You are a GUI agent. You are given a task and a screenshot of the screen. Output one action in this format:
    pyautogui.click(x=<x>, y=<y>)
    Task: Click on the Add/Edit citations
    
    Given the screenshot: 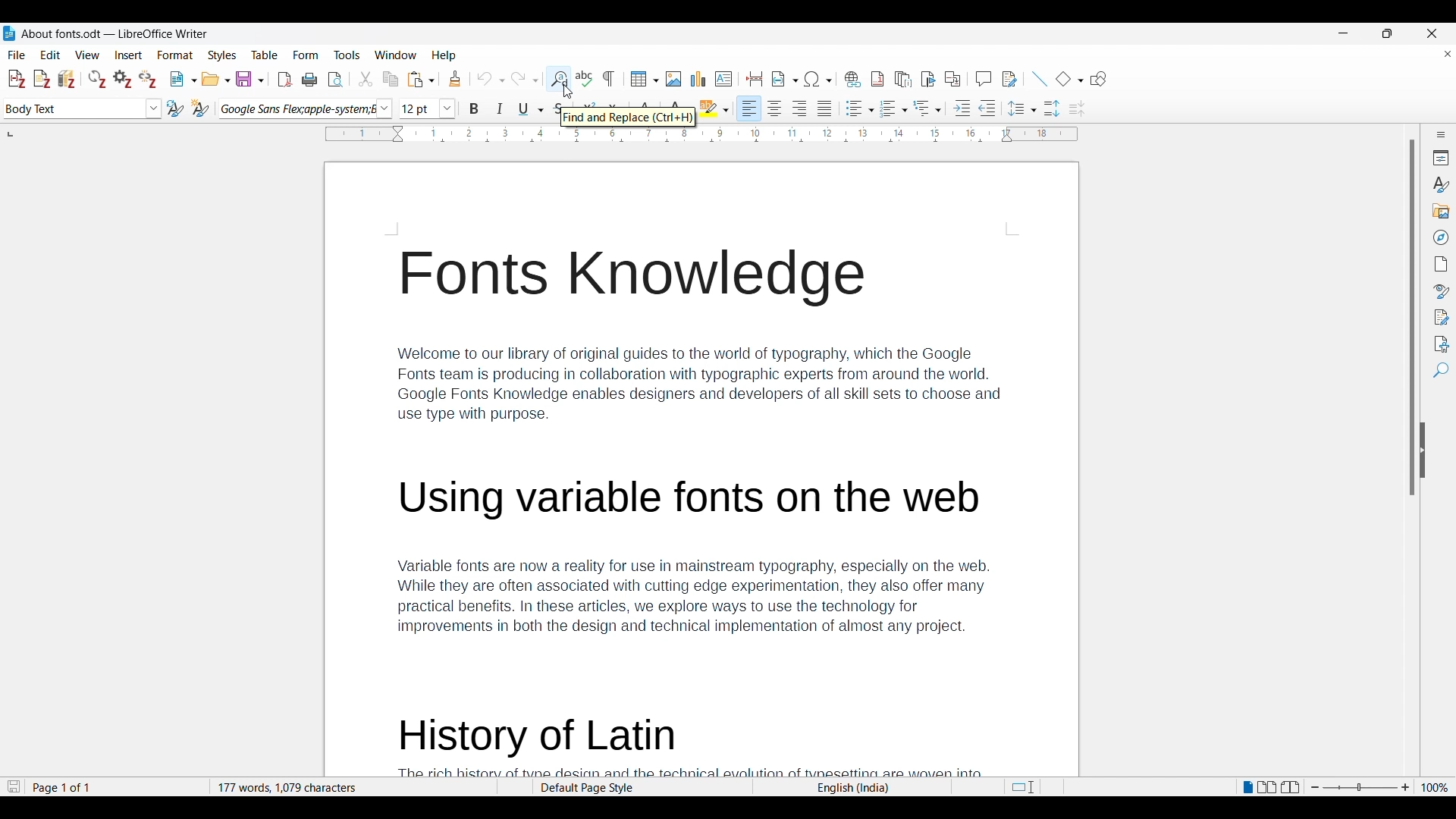 What is the action you would take?
    pyautogui.click(x=17, y=80)
    